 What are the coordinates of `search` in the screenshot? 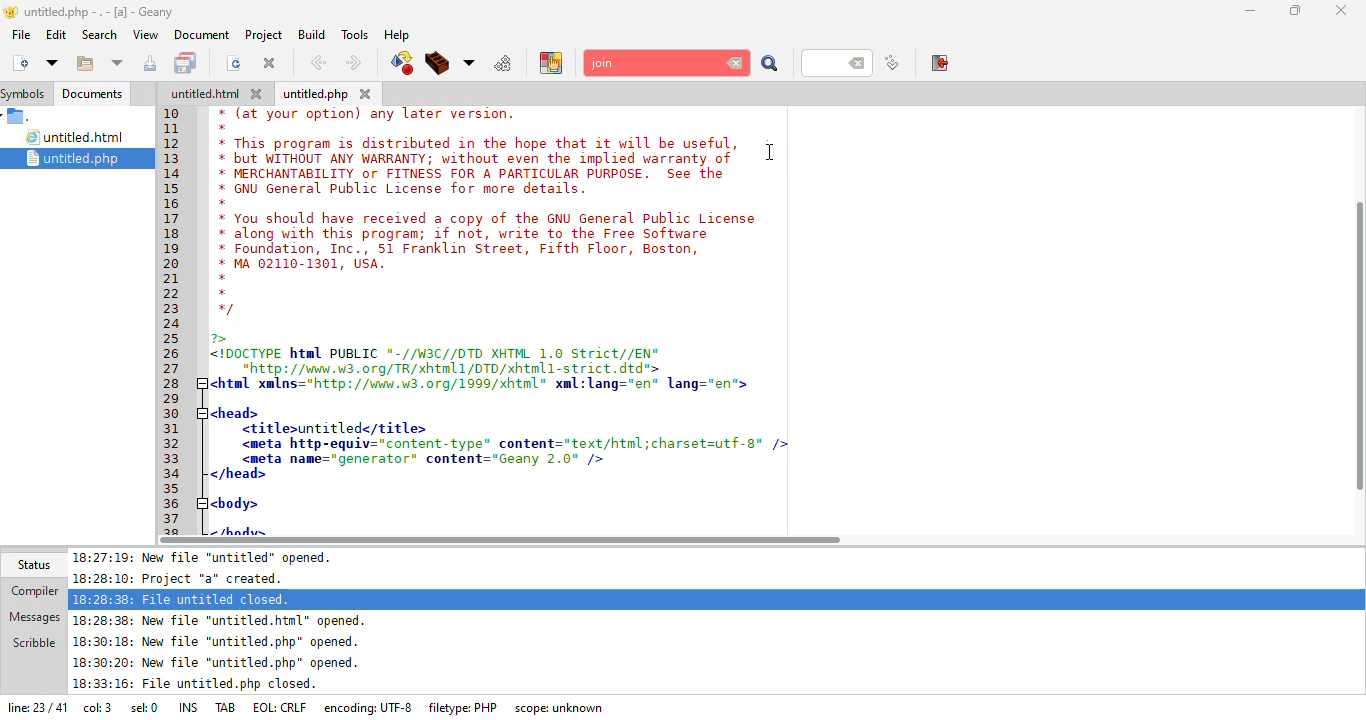 It's located at (770, 65).